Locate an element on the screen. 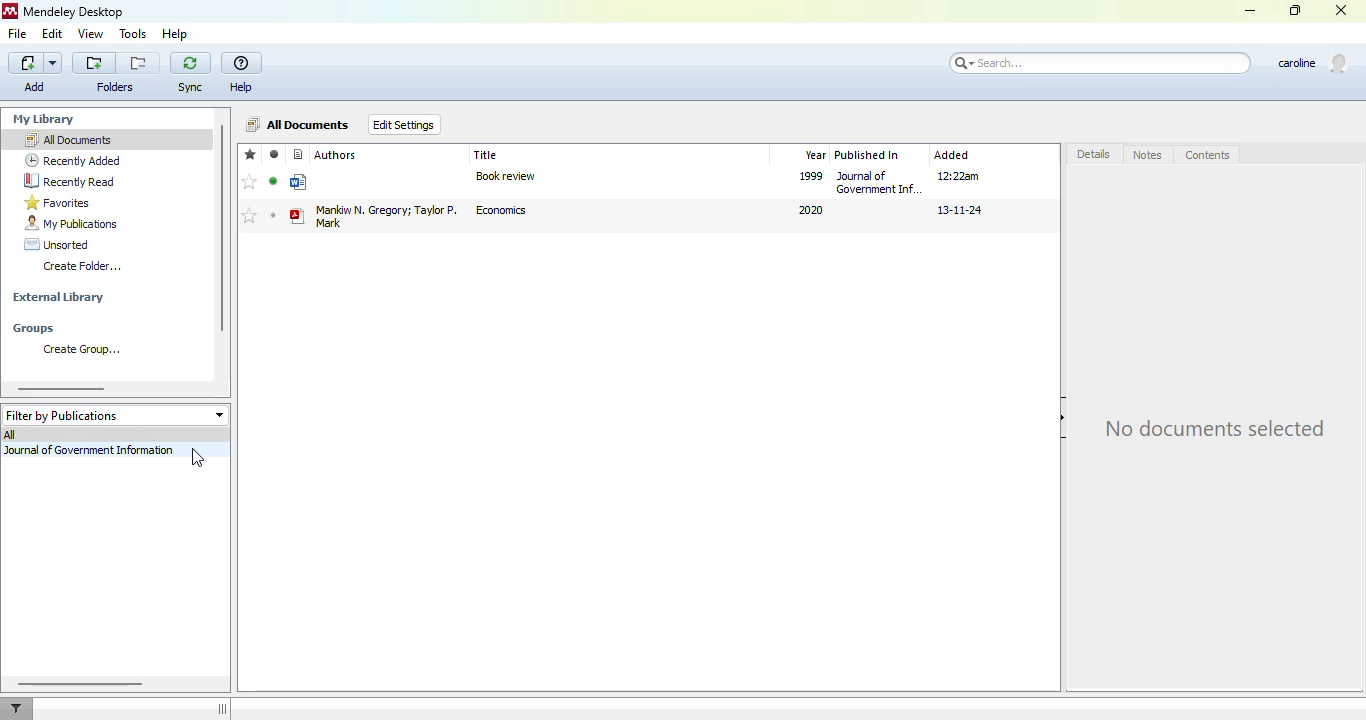  groups is located at coordinates (33, 329).